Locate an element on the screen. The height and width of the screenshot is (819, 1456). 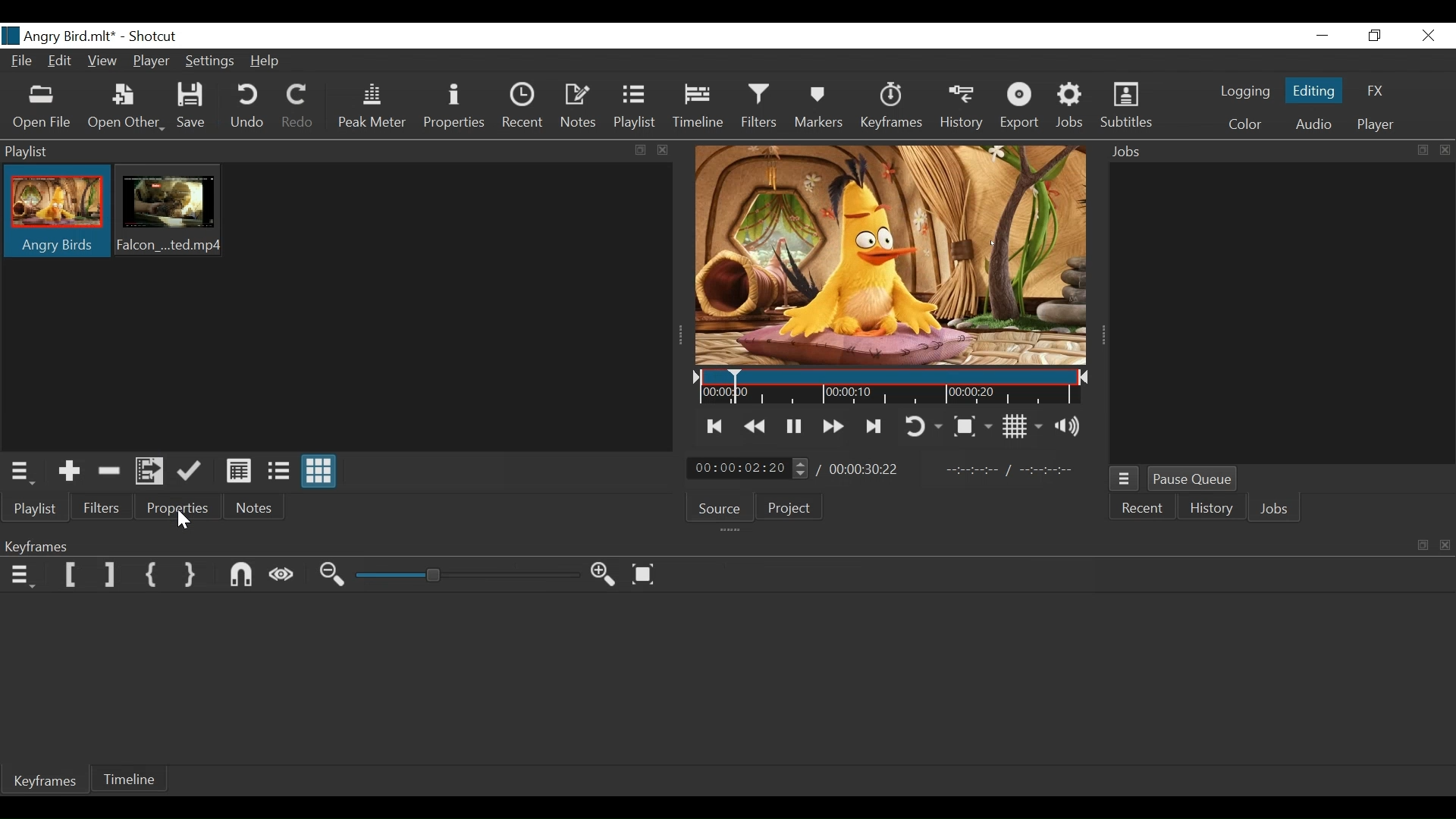
Show volume control is located at coordinates (1070, 428).